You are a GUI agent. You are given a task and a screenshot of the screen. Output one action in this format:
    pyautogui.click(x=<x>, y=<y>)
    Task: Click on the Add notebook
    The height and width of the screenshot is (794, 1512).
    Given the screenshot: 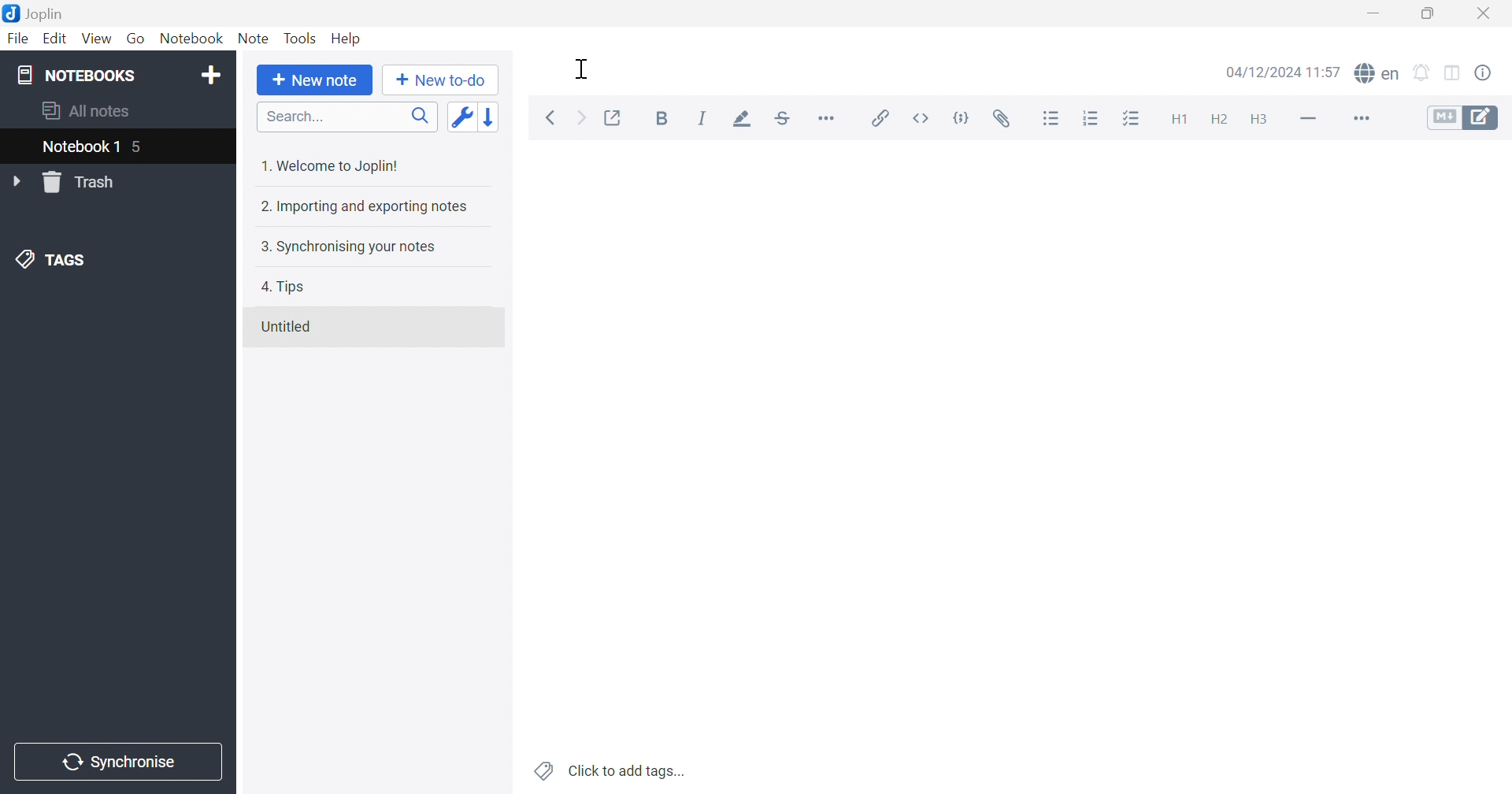 What is the action you would take?
    pyautogui.click(x=213, y=76)
    